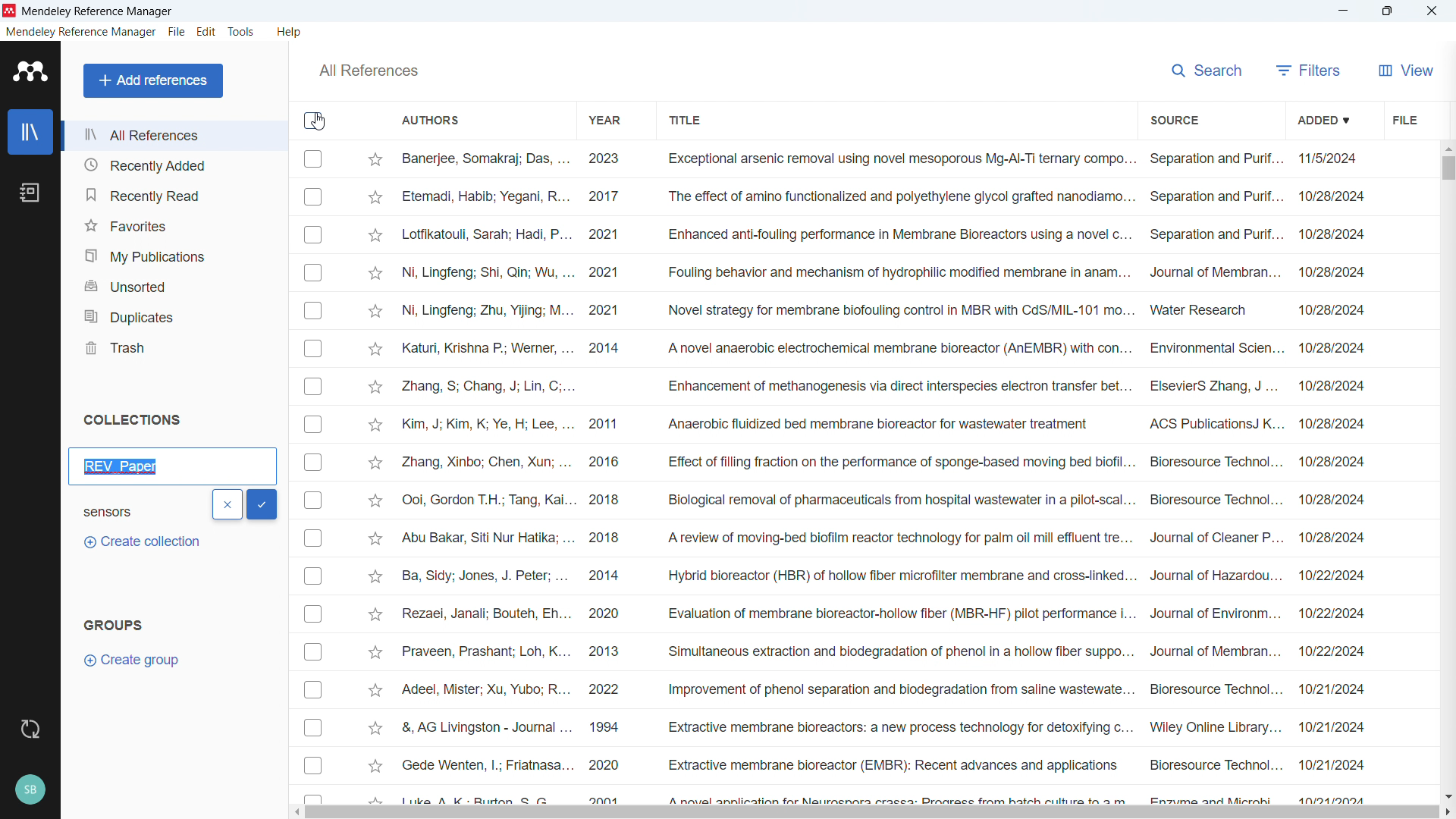  Describe the element at coordinates (10, 11) in the screenshot. I see `Software logo` at that location.